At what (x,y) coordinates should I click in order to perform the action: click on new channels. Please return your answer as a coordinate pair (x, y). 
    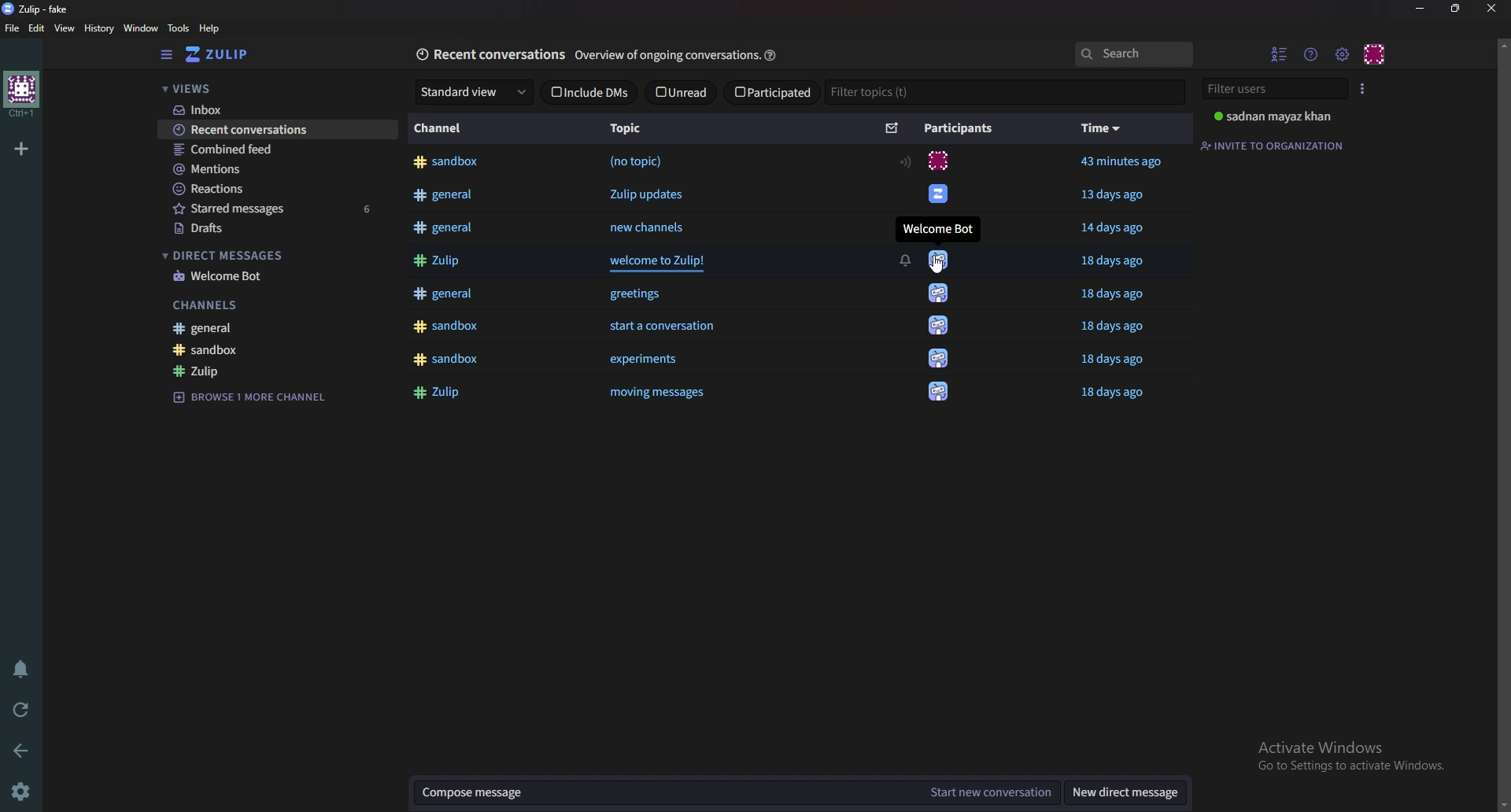
    Looking at the image, I should click on (648, 227).